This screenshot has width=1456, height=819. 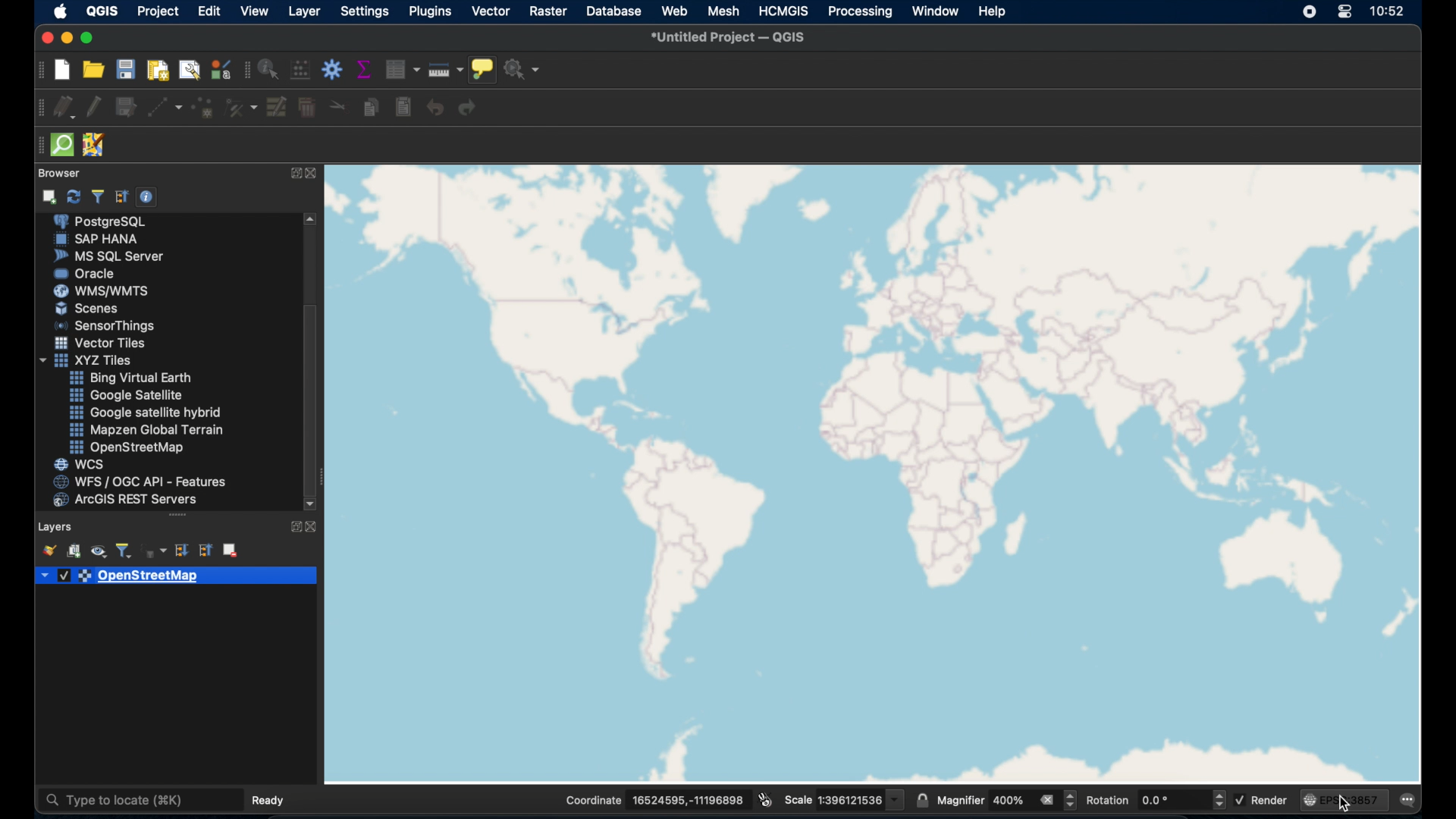 What do you see at coordinates (121, 196) in the screenshot?
I see `collapse all` at bounding box center [121, 196].